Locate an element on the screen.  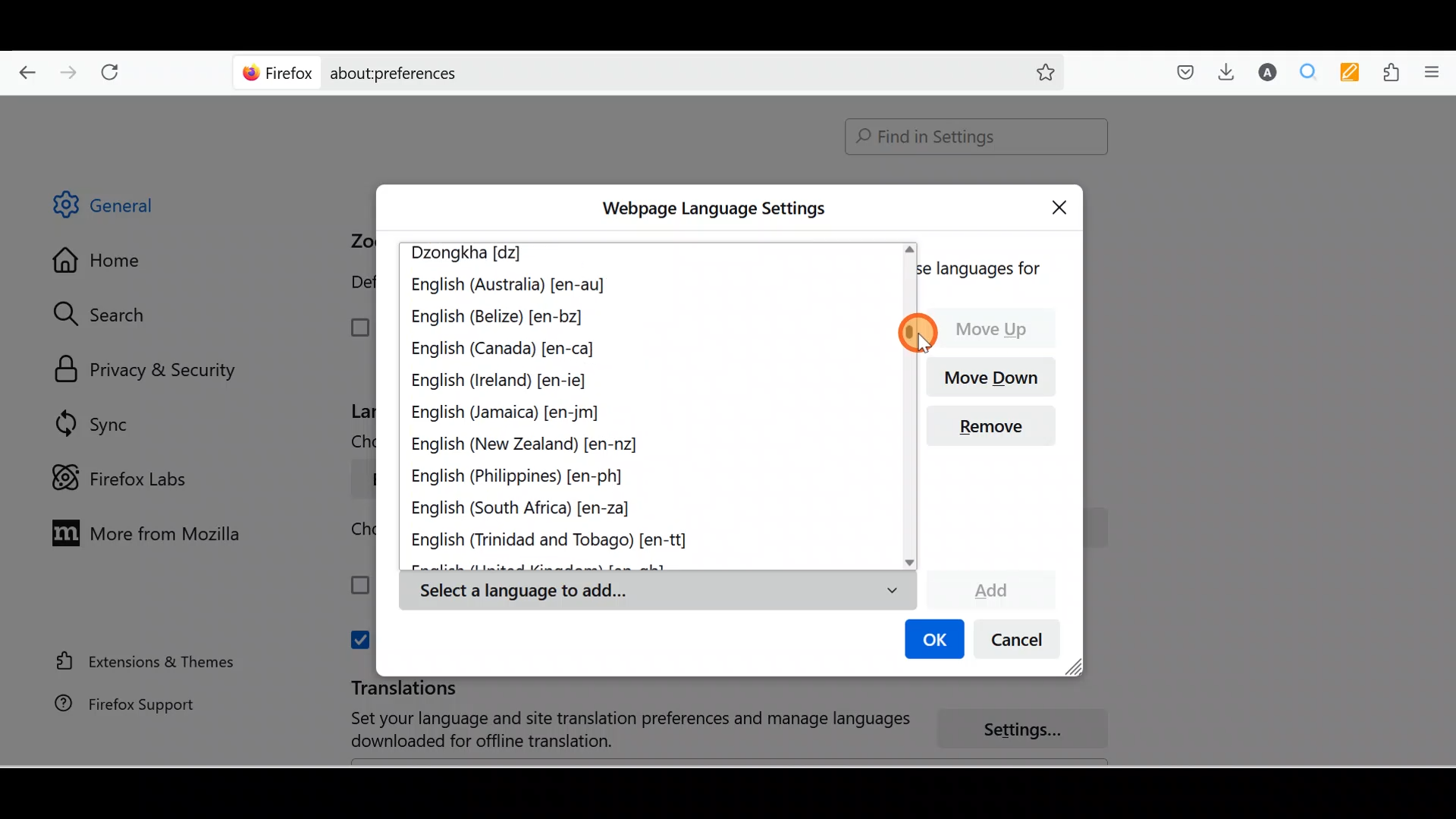
Bookmark this page is located at coordinates (1034, 71).